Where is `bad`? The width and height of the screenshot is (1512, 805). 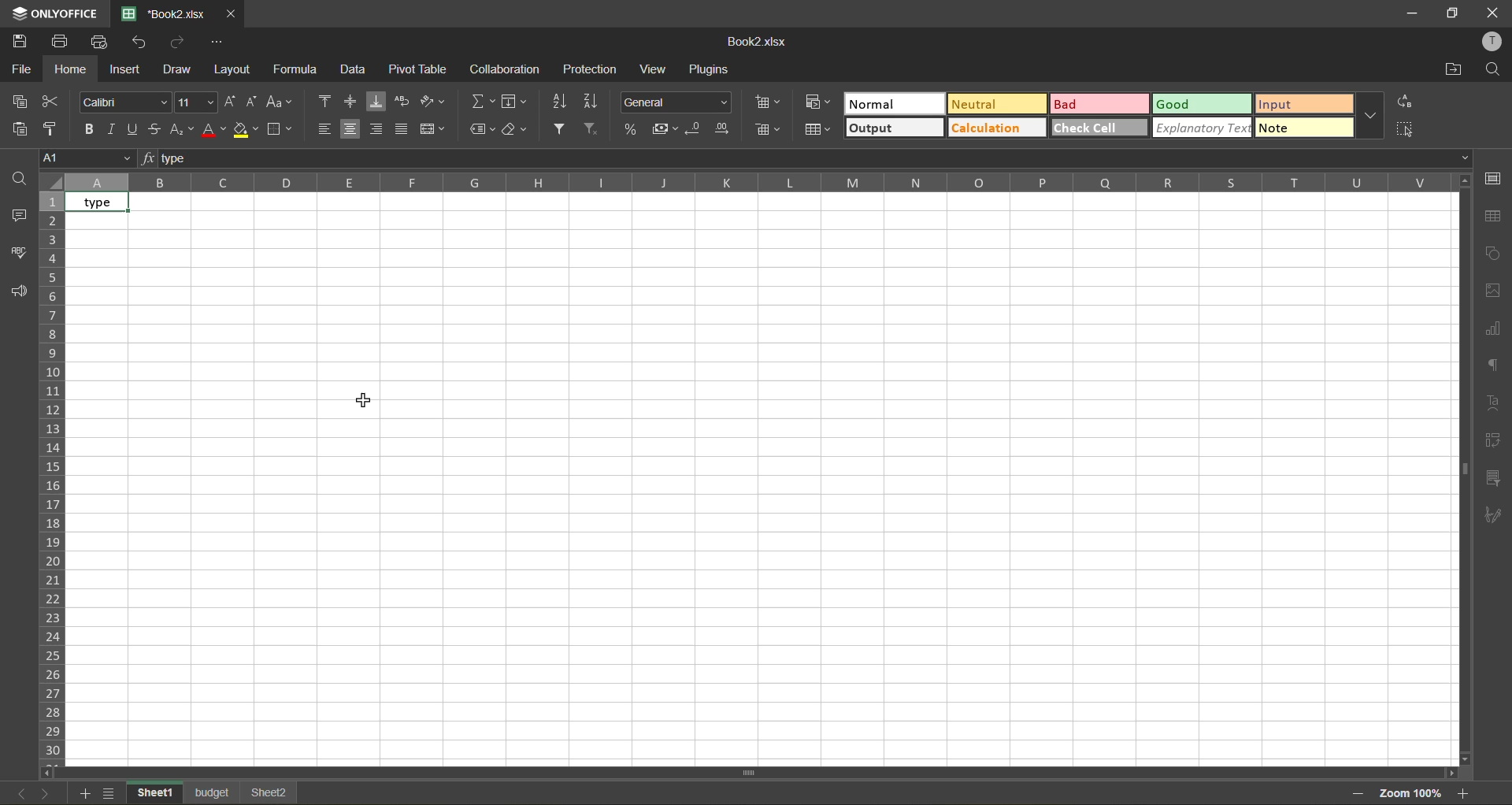
bad is located at coordinates (1106, 107).